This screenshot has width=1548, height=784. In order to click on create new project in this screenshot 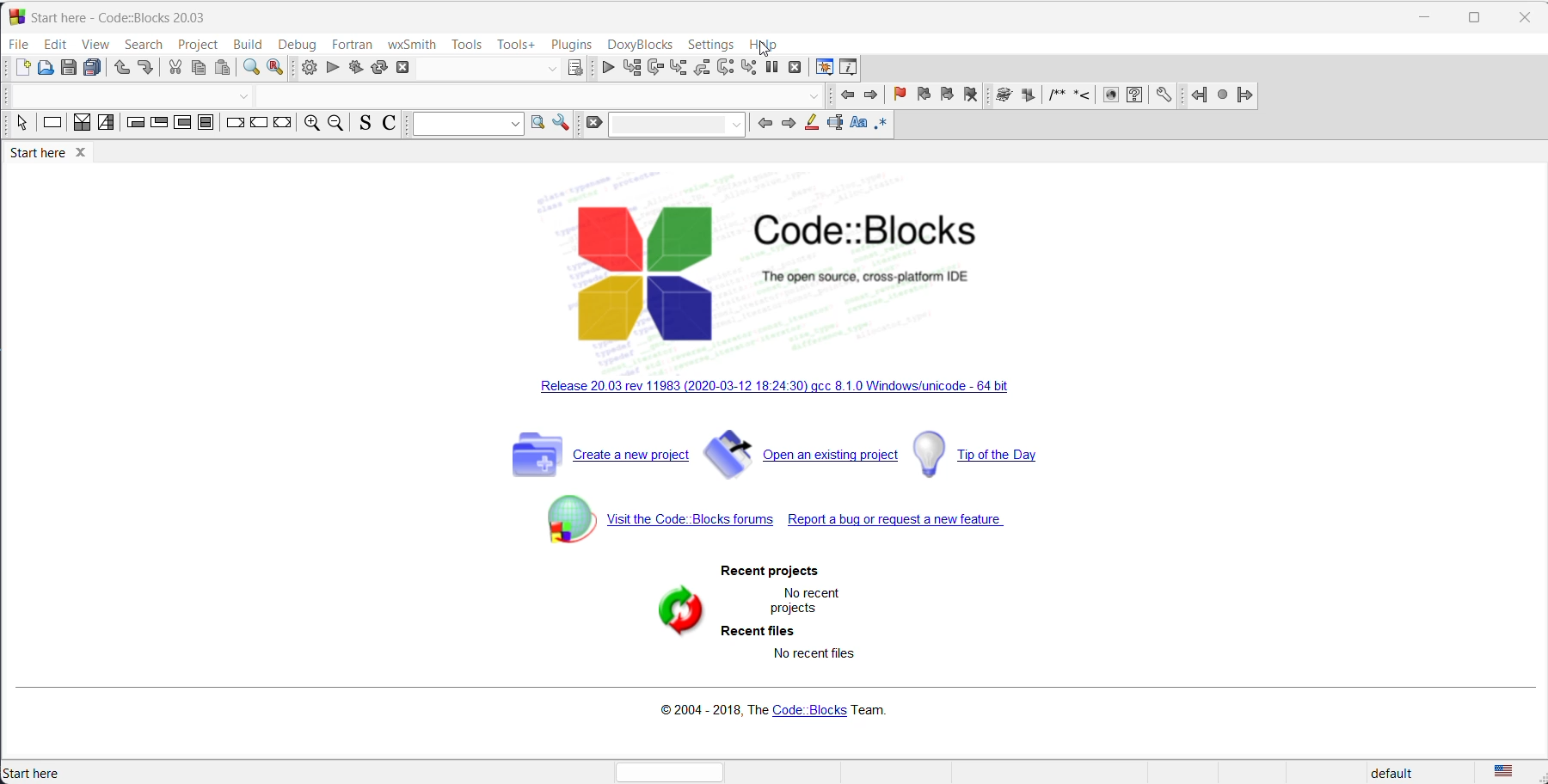, I will do `click(579, 454)`.